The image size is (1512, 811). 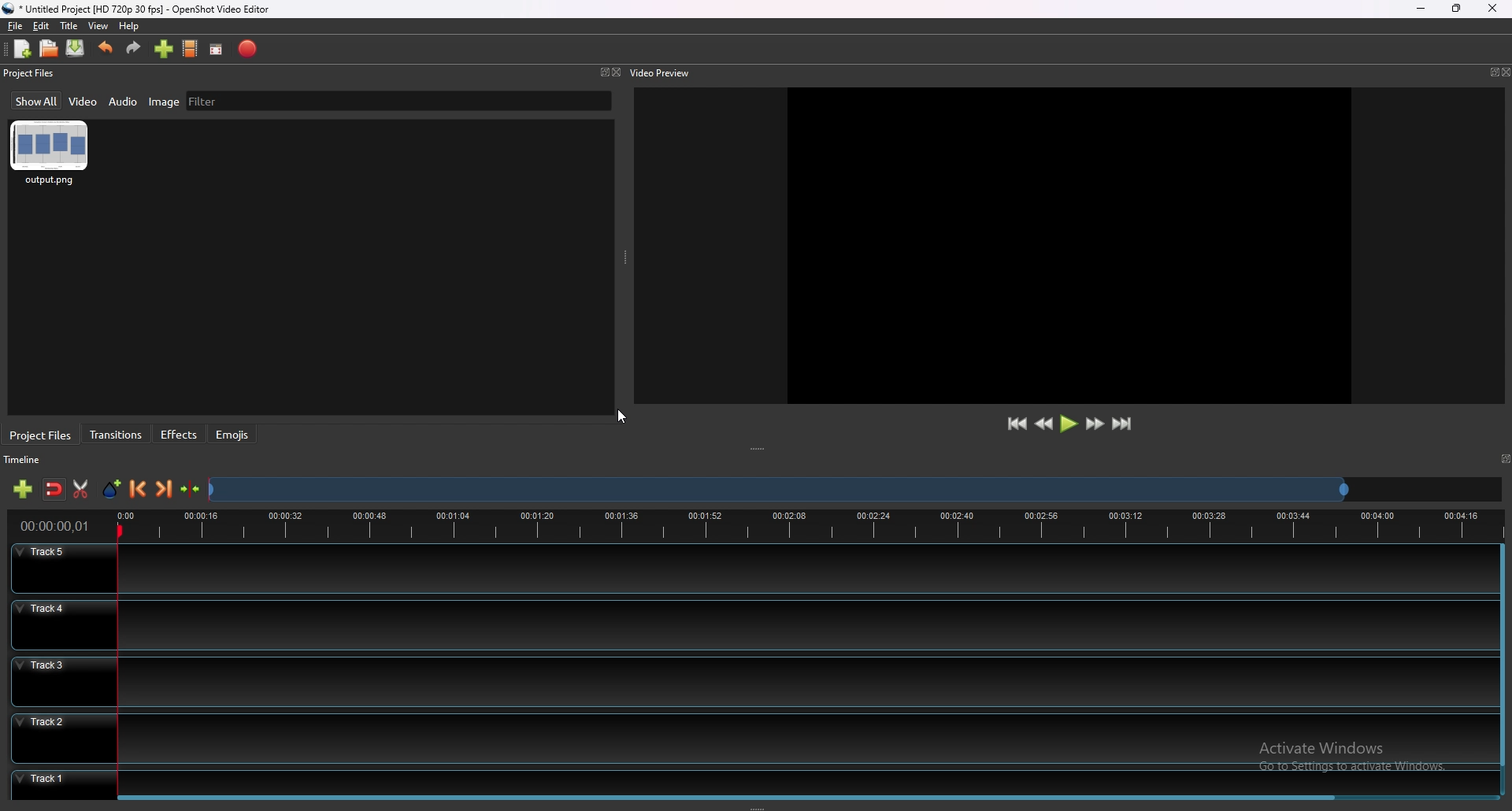 I want to click on fast forward, so click(x=1095, y=424).